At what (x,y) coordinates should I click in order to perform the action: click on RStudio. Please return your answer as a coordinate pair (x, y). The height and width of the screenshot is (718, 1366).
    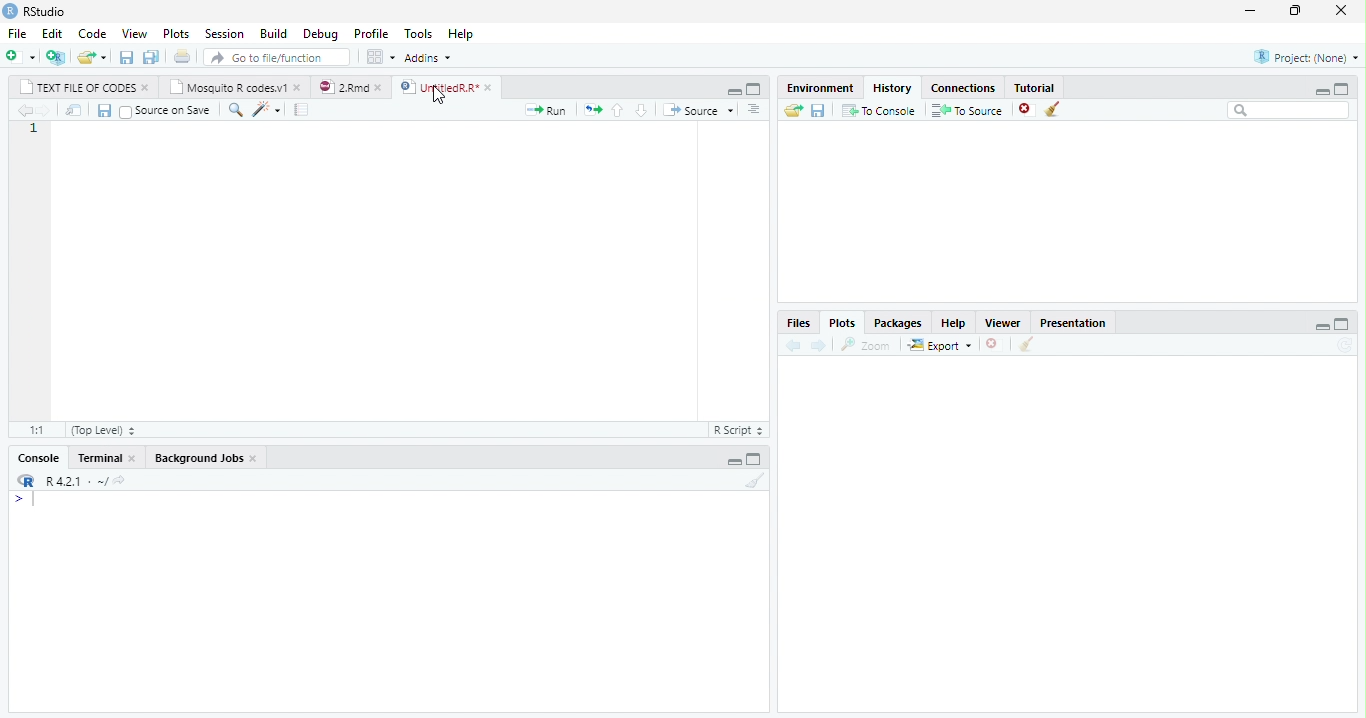
    Looking at the image, I should click on (47, 11).